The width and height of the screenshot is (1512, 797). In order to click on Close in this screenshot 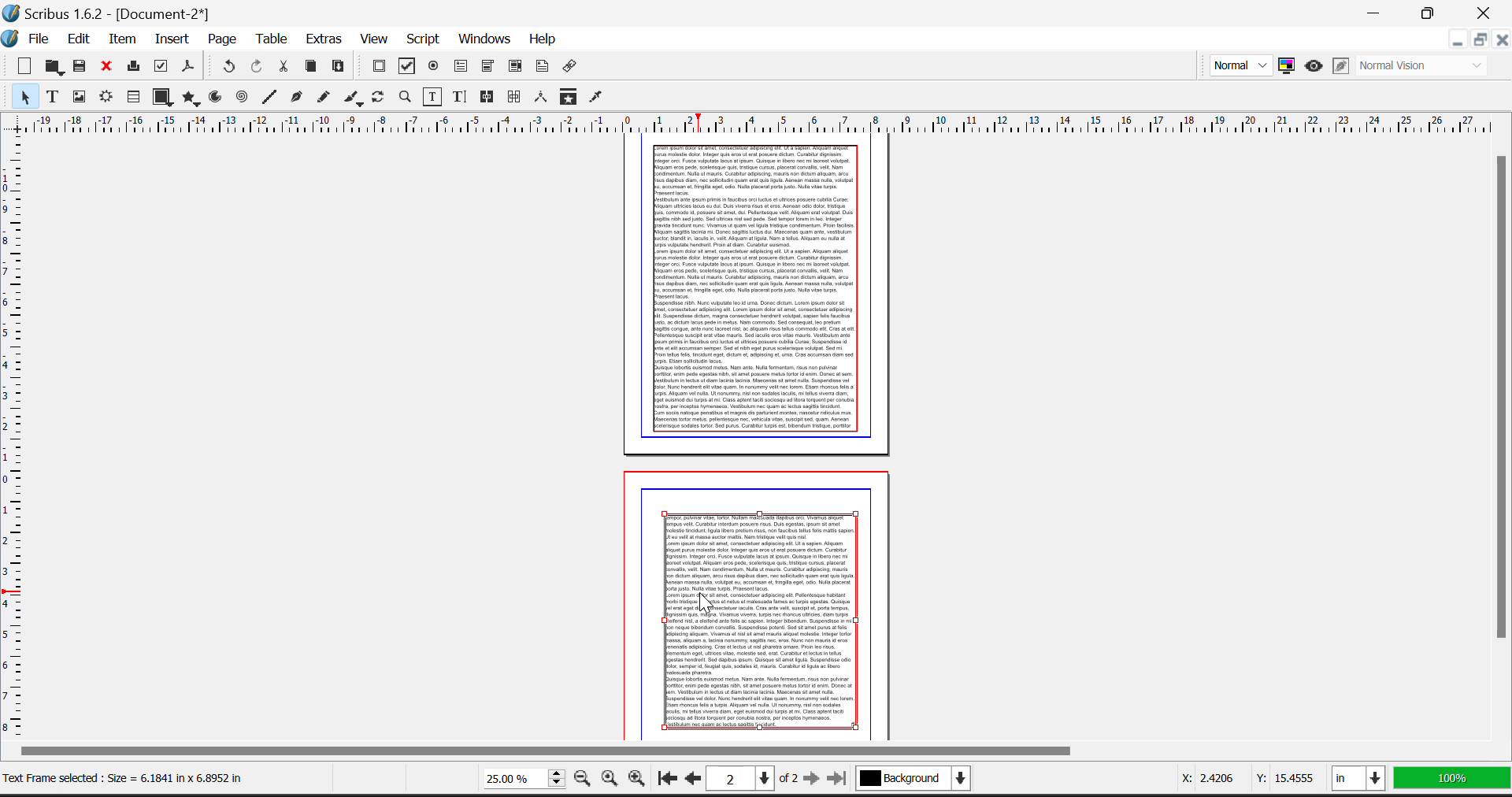, I will do `click(1487, 11)`.